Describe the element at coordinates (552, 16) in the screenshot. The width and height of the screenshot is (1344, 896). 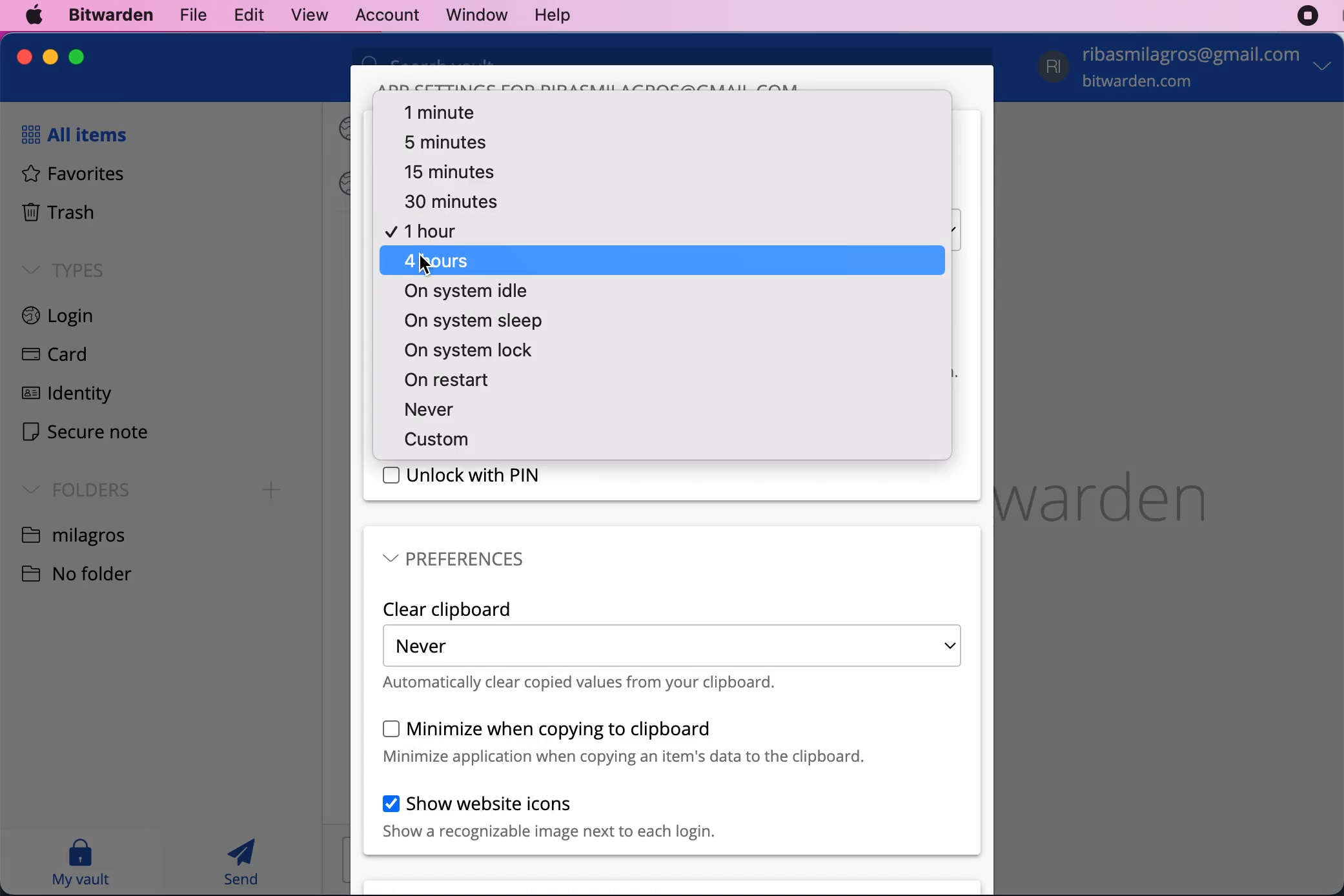
I see `help` at that location.